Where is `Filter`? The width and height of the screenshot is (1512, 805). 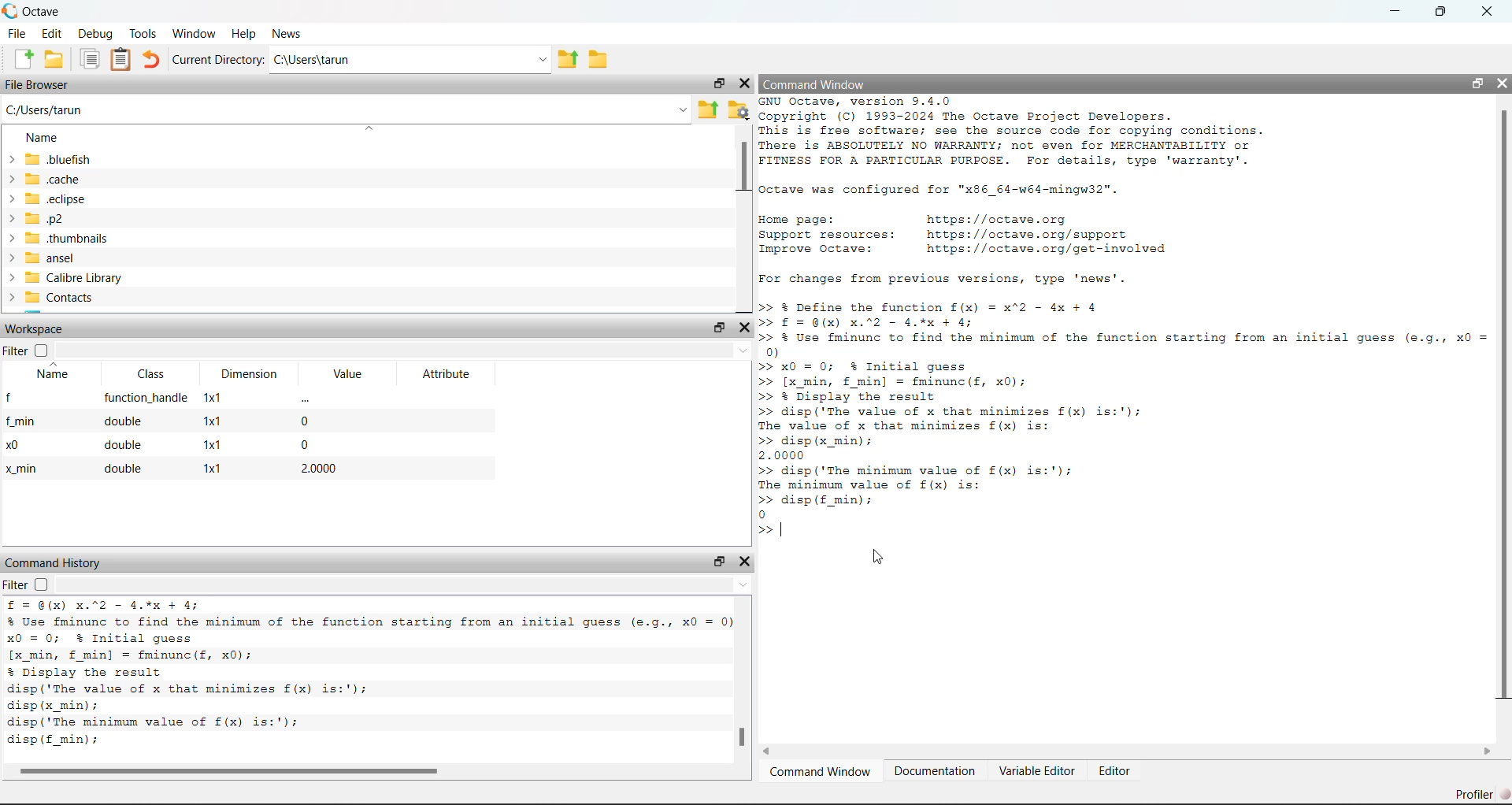
Filter is located at coordinates (33, 351).